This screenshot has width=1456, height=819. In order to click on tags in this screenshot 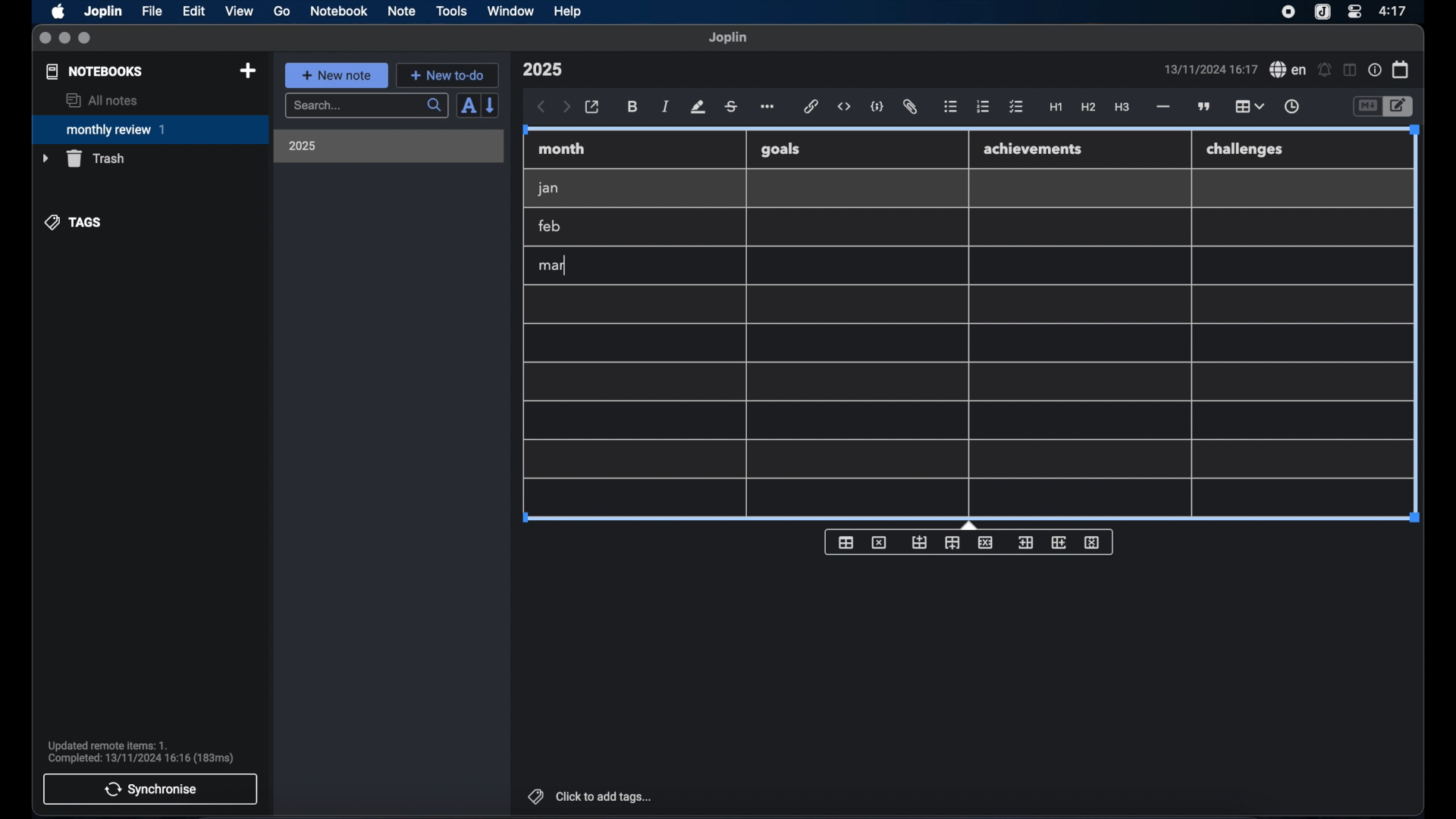, I will do `click(74, 222)`.